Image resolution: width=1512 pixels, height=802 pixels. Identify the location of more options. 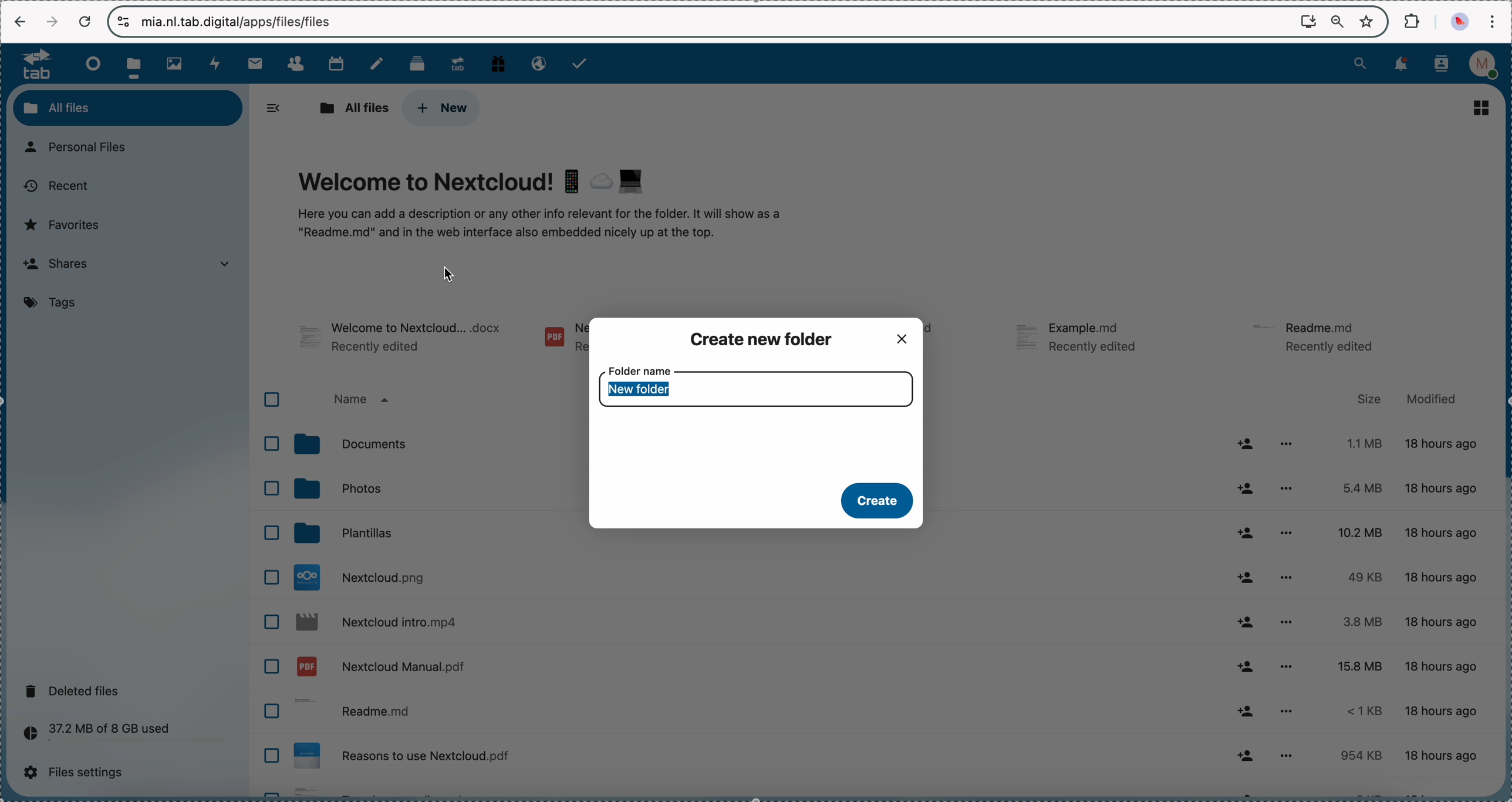
(1289, 754).